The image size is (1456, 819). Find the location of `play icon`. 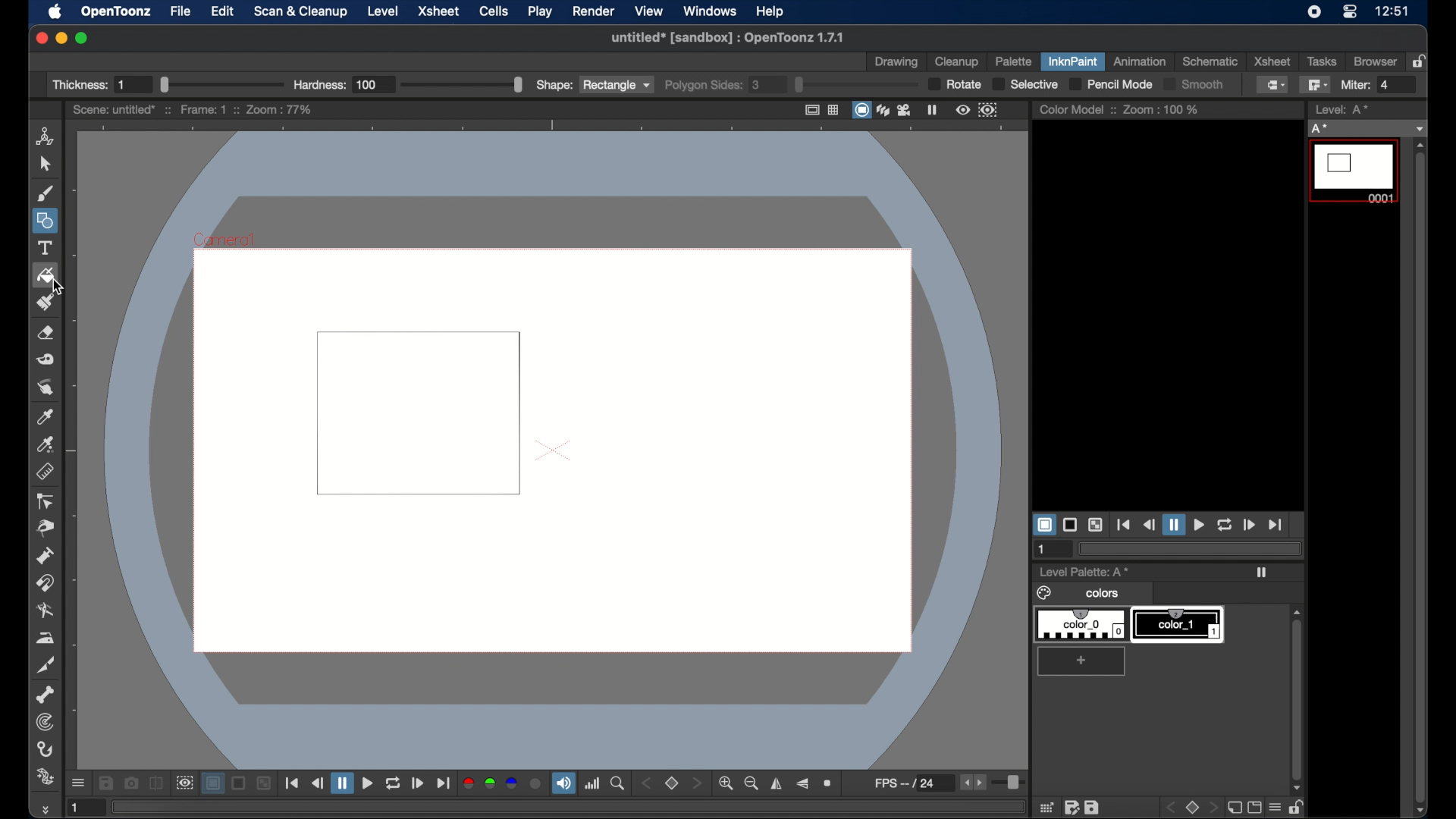

play icon is located at coordinates (1261, 573).